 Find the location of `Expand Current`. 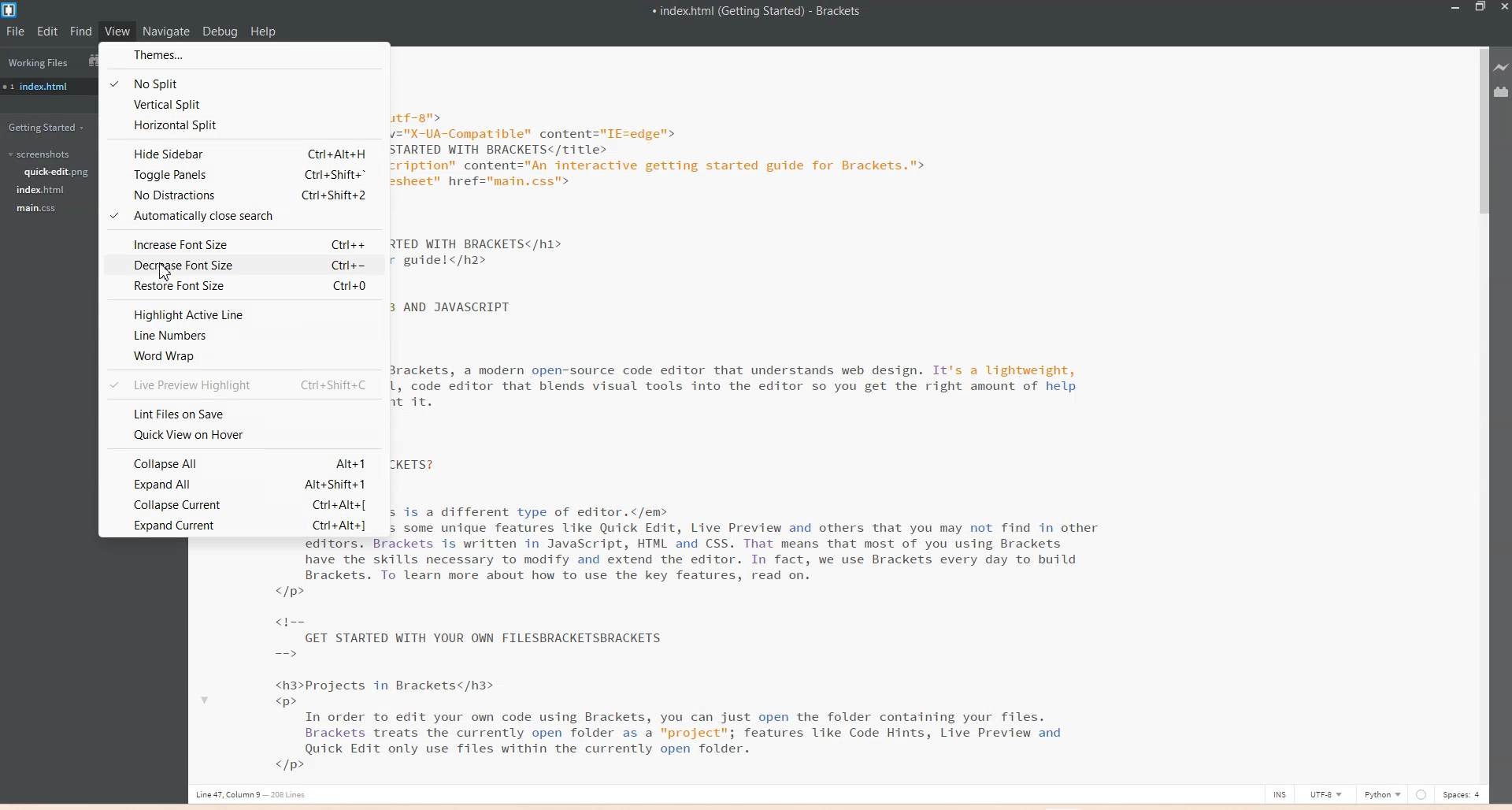

Expand Current is located at coordinates (244, 526).